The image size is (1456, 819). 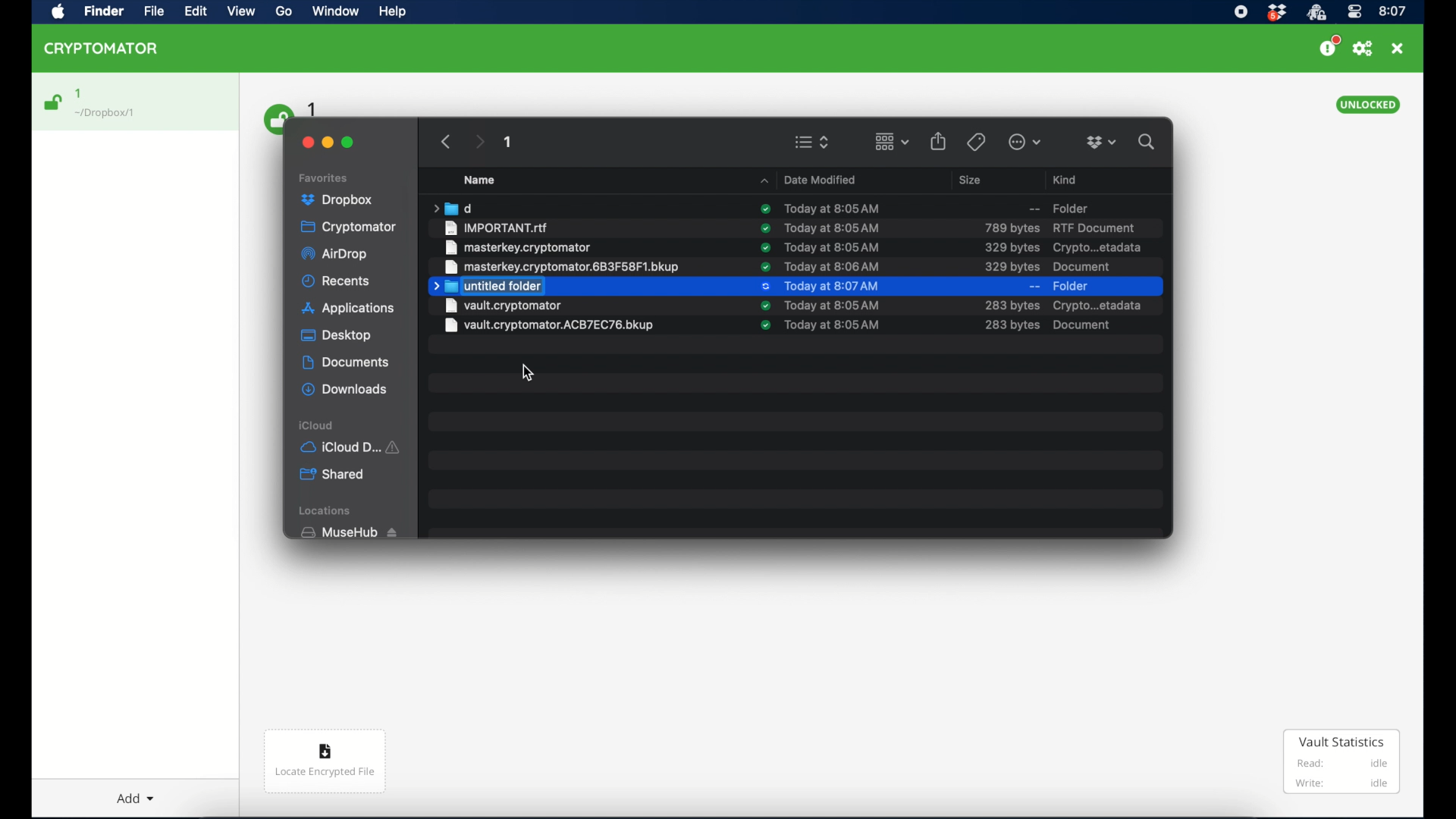 What do you see at coordinates (343, 200) in the screenshot?
I see `dropbox highlighted` at bounding box center [343, 200].